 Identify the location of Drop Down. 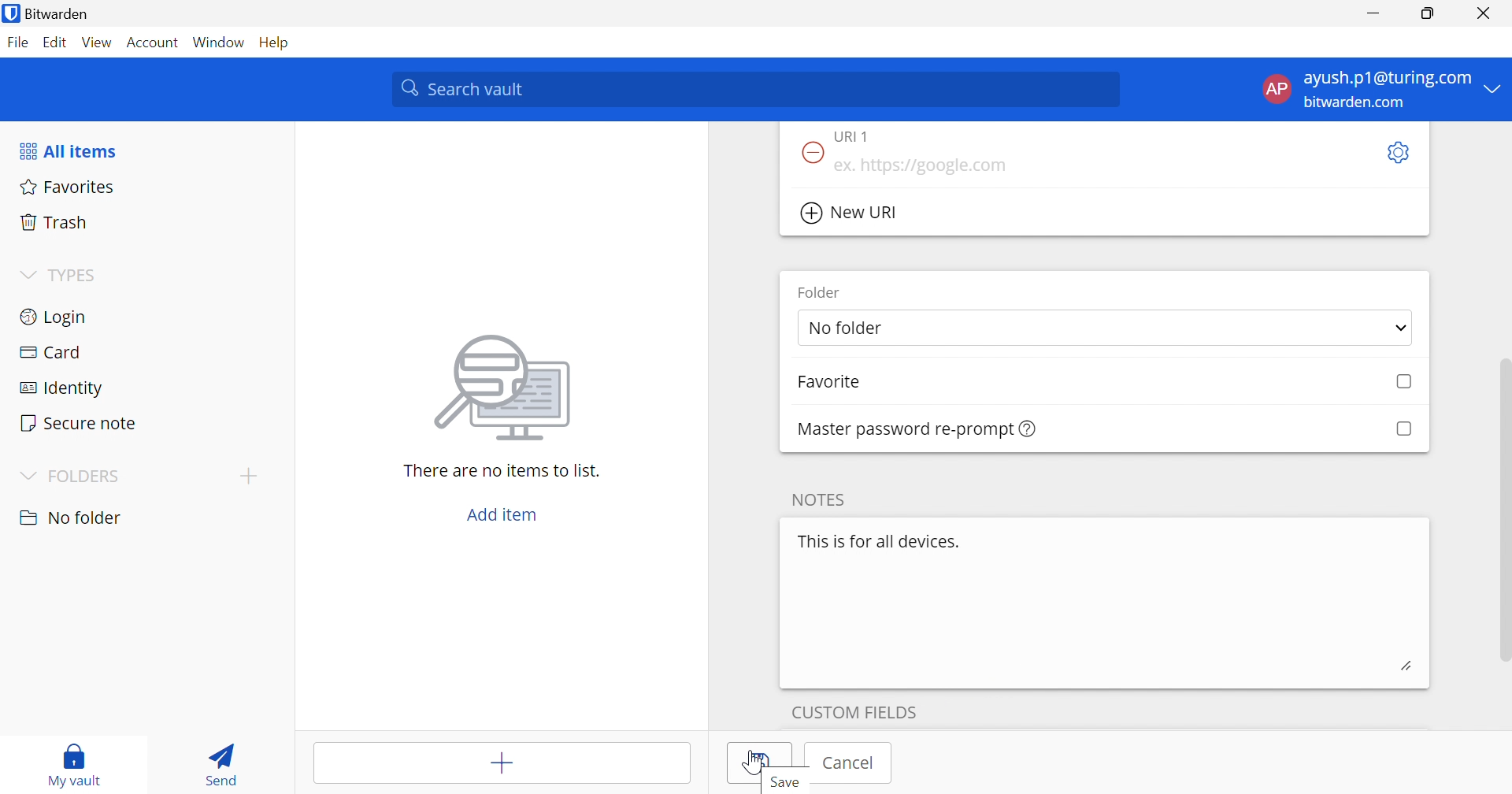
(25, 477).